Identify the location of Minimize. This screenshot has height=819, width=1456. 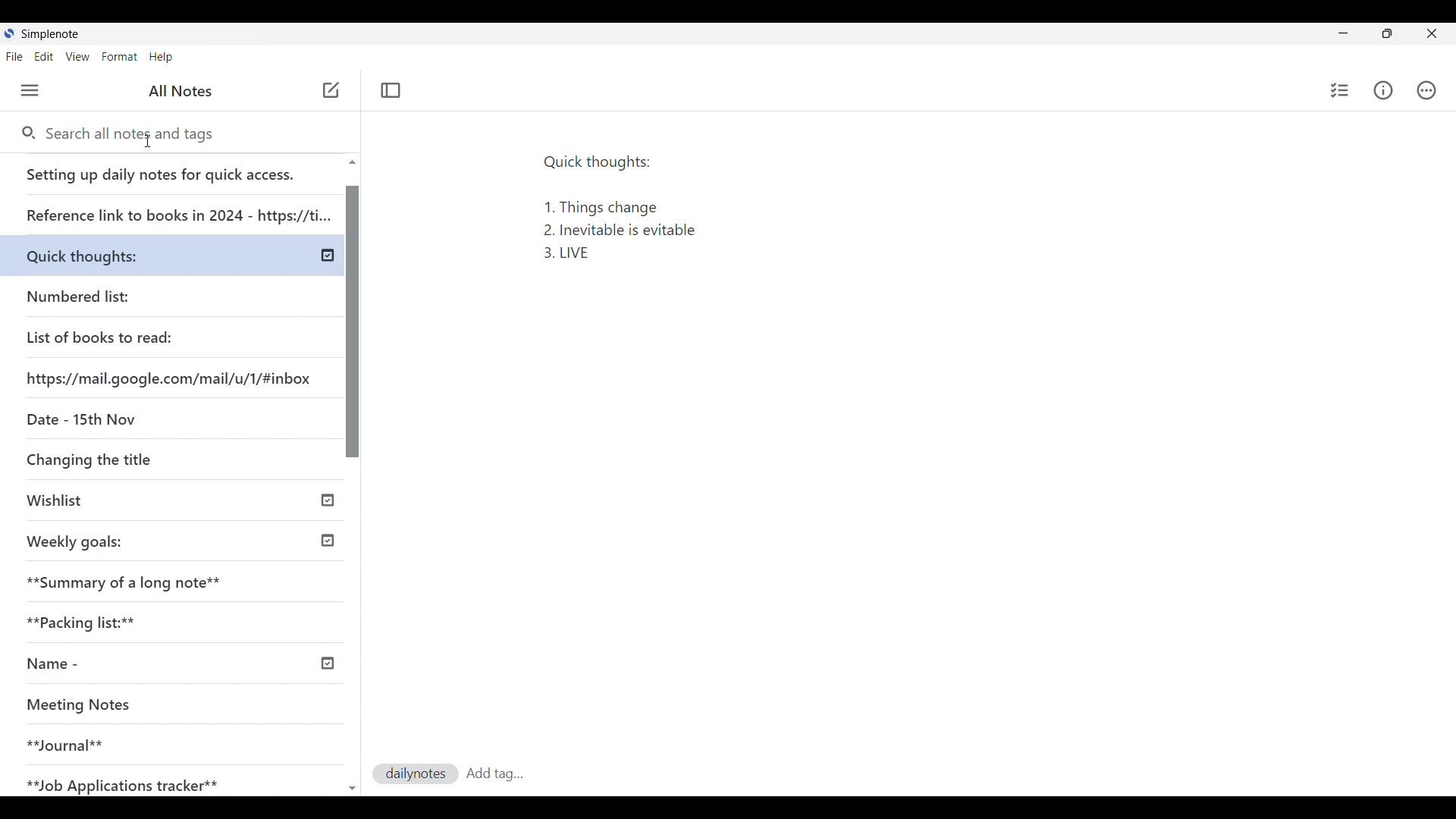
(1343, 33).